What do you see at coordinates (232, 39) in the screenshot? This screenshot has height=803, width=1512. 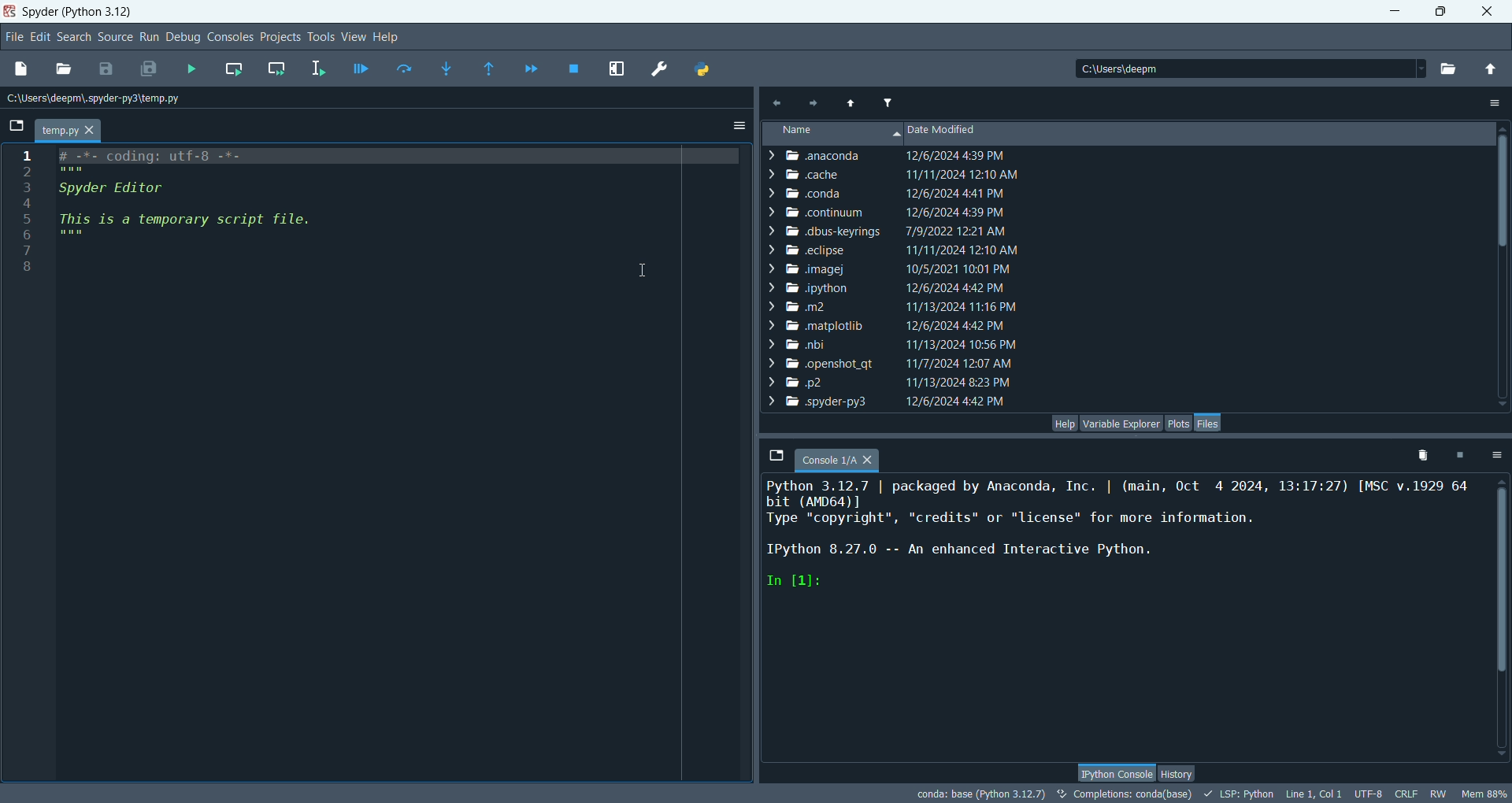 I see `consoles` at bounding box center [232, 39].